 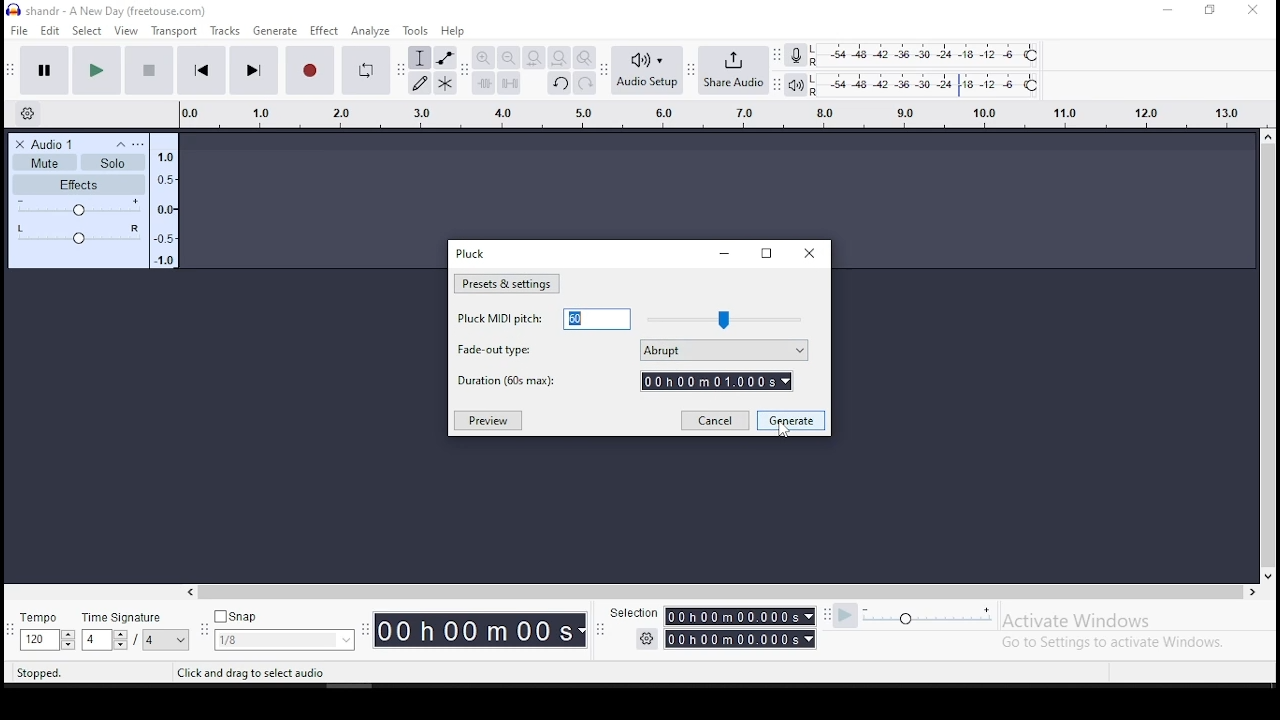 I want to click on scroll bar, so click(x=1269, y=354).